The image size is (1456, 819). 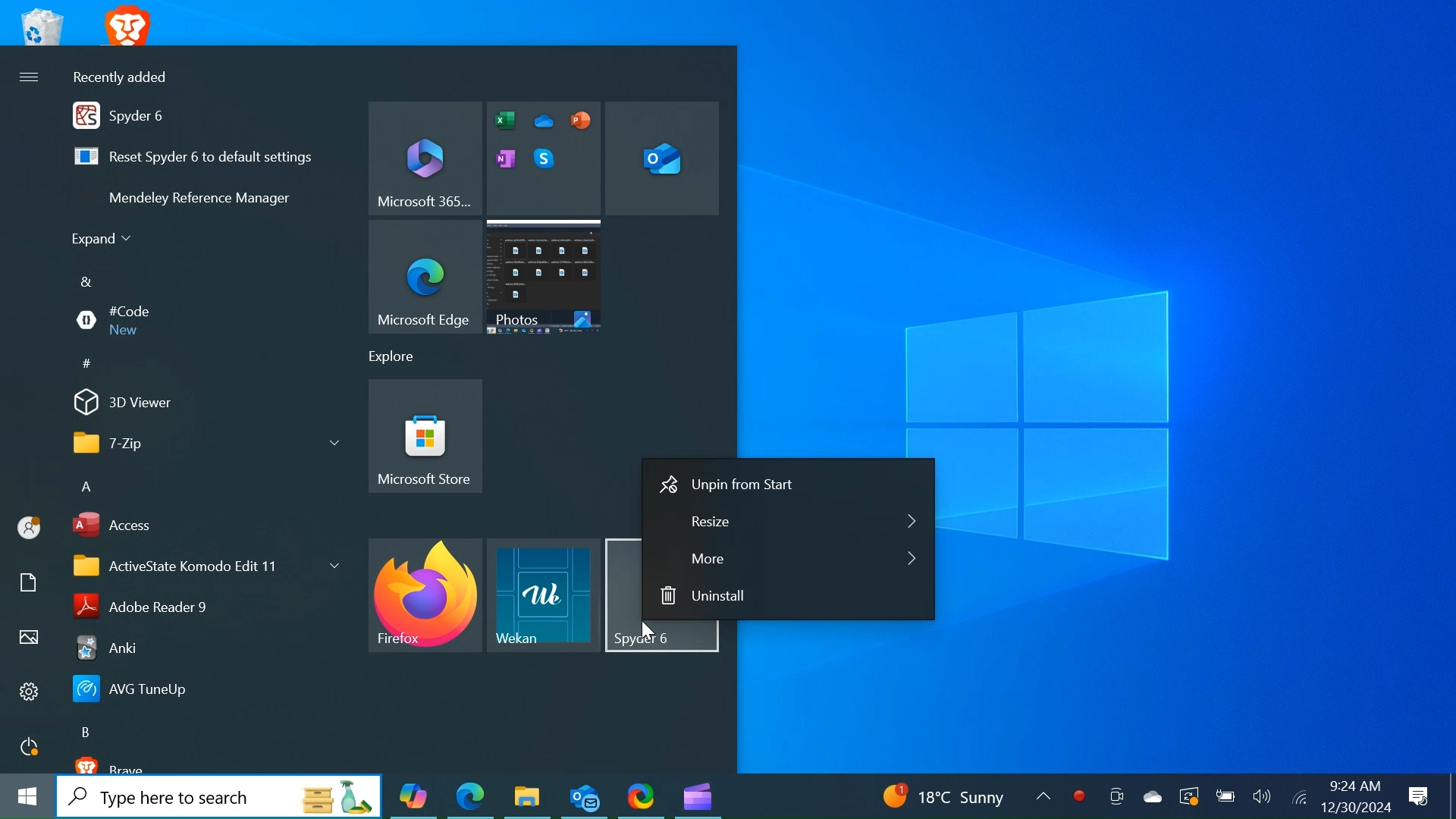 I want to click on Settings, so click(x=29, y=692).